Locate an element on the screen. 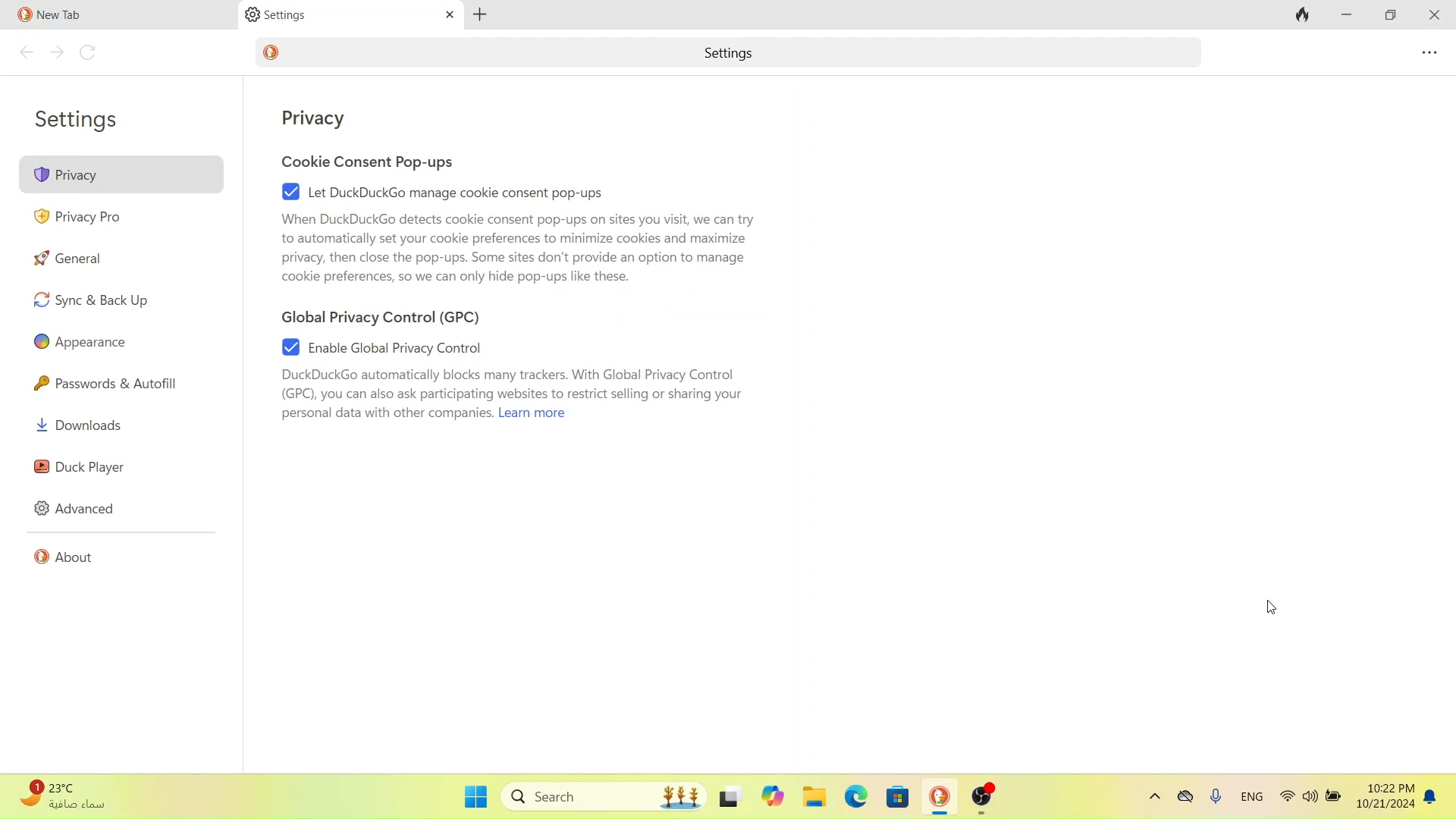 This screenshot has height=819, width=1456. click to go back is located at coordinates (26, 54).